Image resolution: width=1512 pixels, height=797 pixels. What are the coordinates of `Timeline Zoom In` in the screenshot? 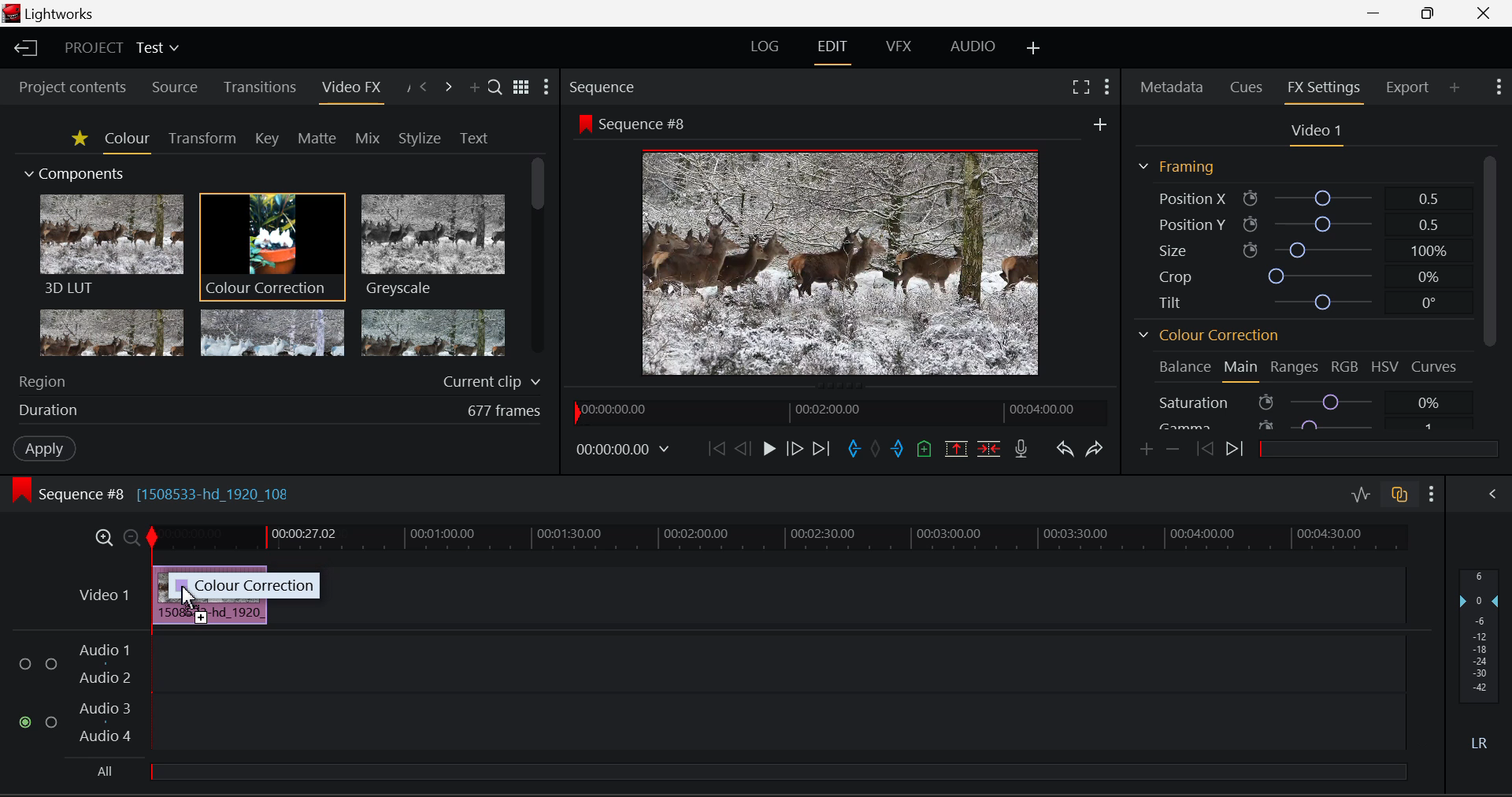 It's located at (103, 539).